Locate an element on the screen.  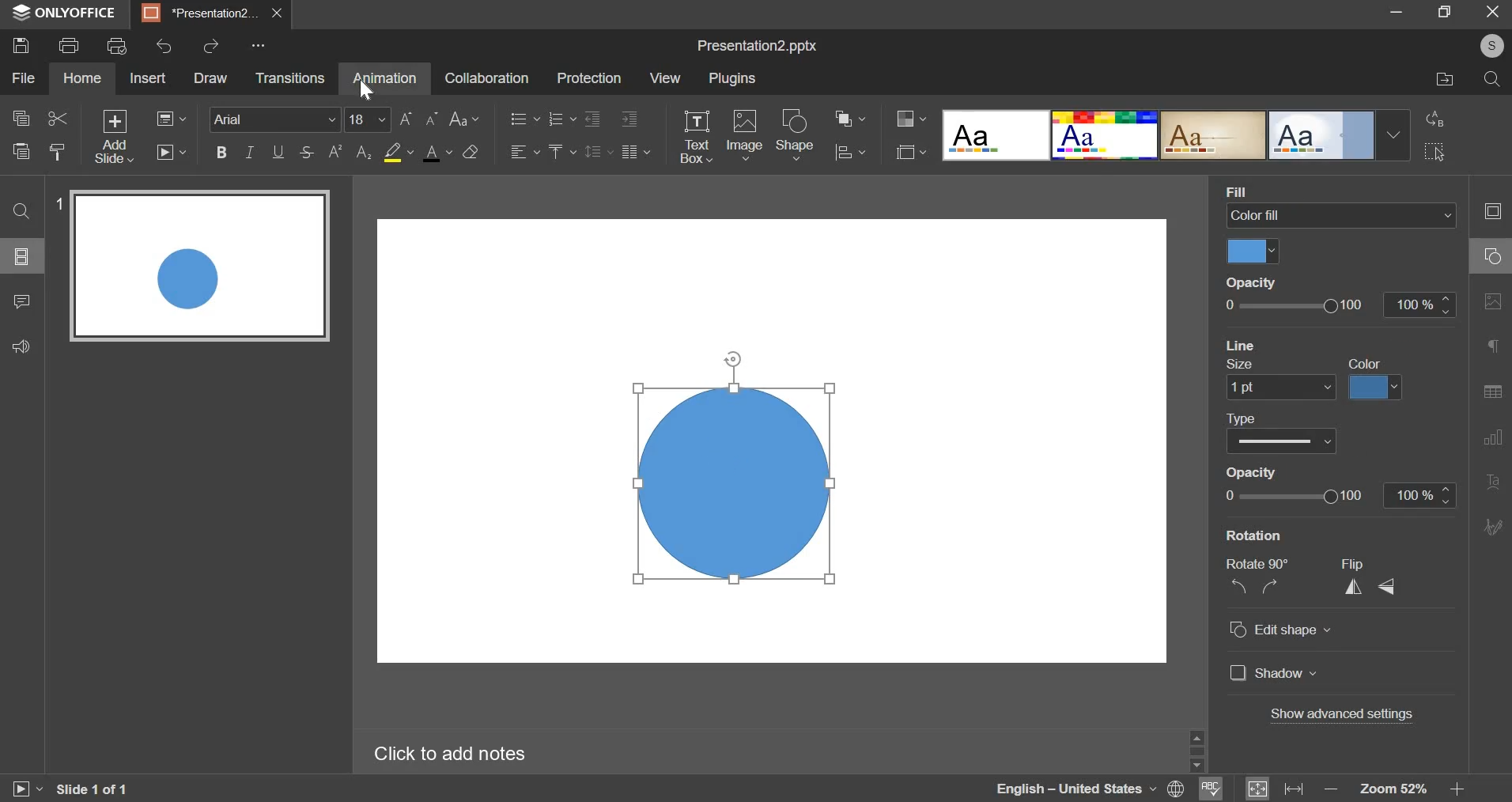
presentation is located at coordinates (211, 16).